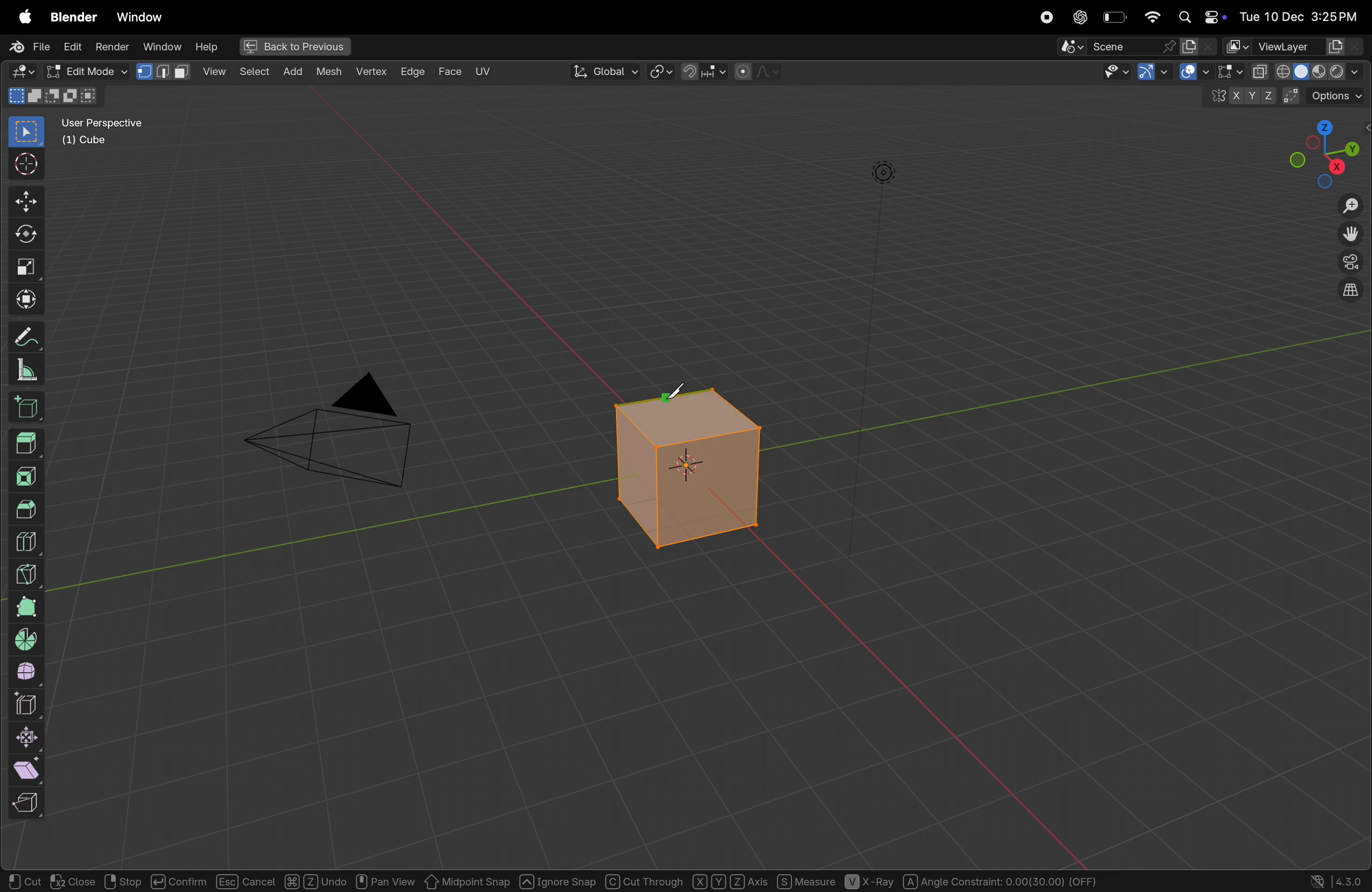 The image size is (1372, 892). Describe the element at coordinates (468, 881) in the screenshot. I see `Midpoint Snap` at that location.